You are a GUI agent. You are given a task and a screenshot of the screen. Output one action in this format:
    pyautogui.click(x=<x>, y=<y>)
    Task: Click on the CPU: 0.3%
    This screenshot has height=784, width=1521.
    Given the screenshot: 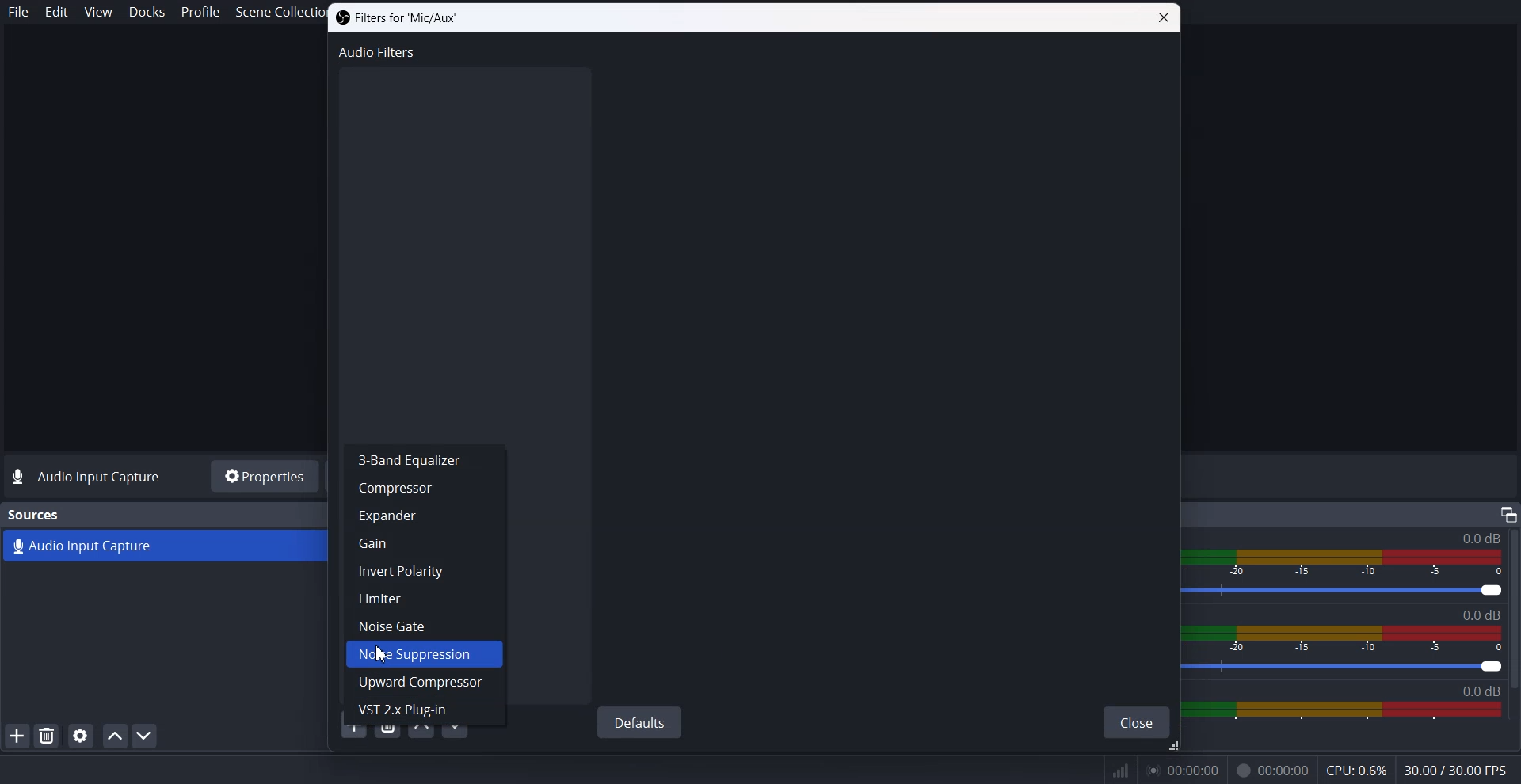 What is the action you would take?
    pyautogui.click(x=1355, y=772)
    